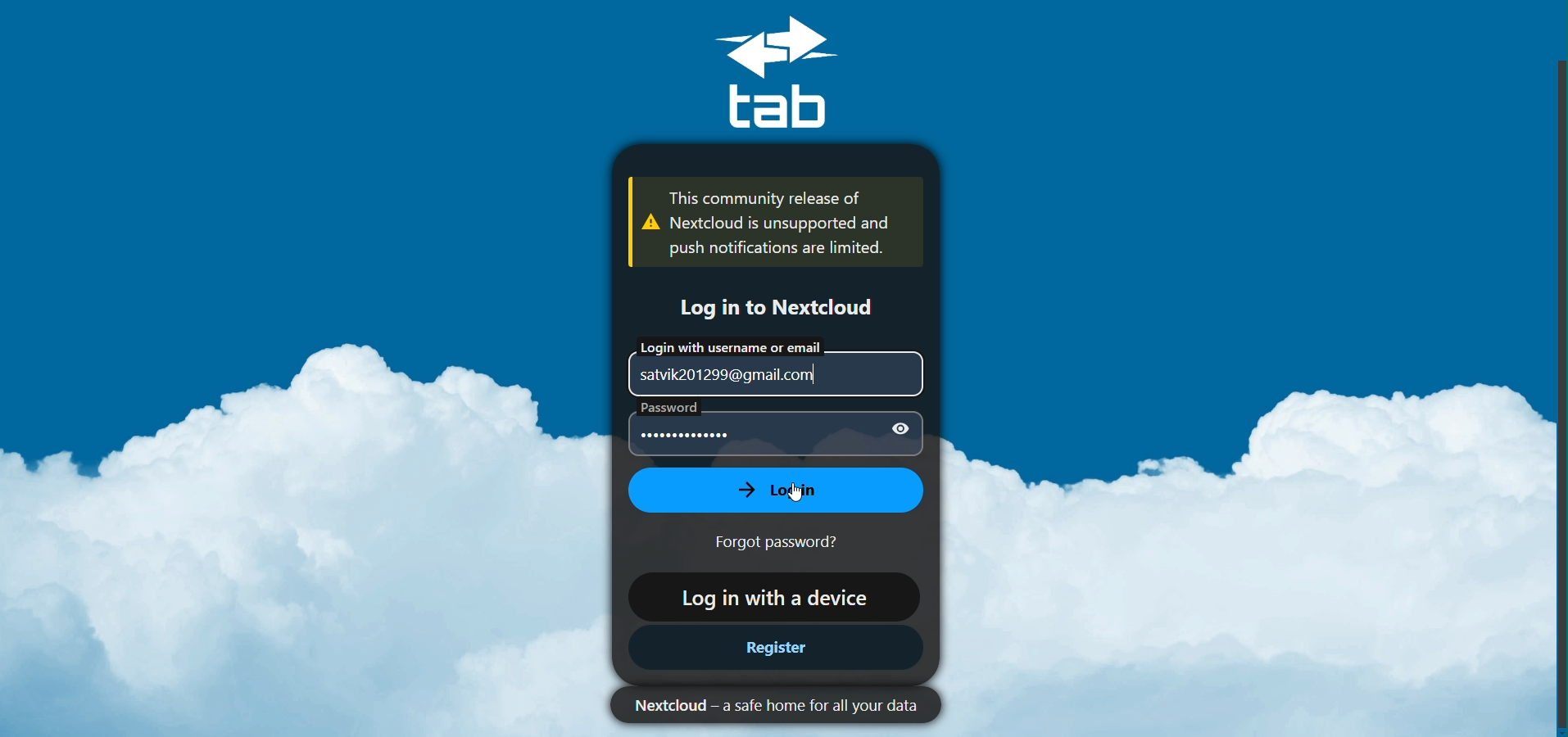 This screenshot has height=737, width=1568. Describe the element at coordinates (769, 595) in the screenshot. I see `Log in with a device` at that location.